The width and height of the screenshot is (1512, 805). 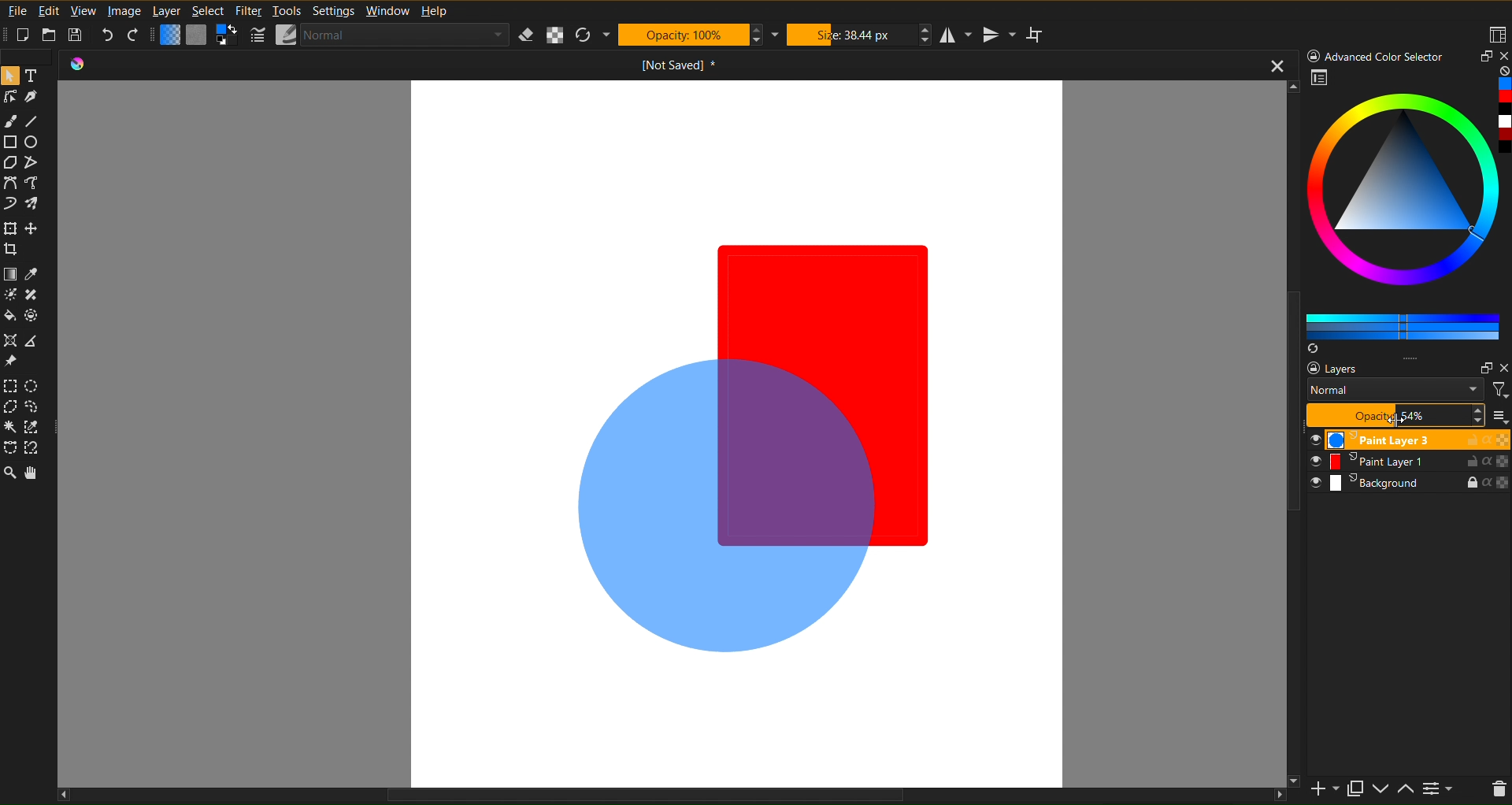 What do you see at coordinates (1288, 383) in the screenshot?
I see `Vertical Scrol bar` at bounding box center [1288, 383].